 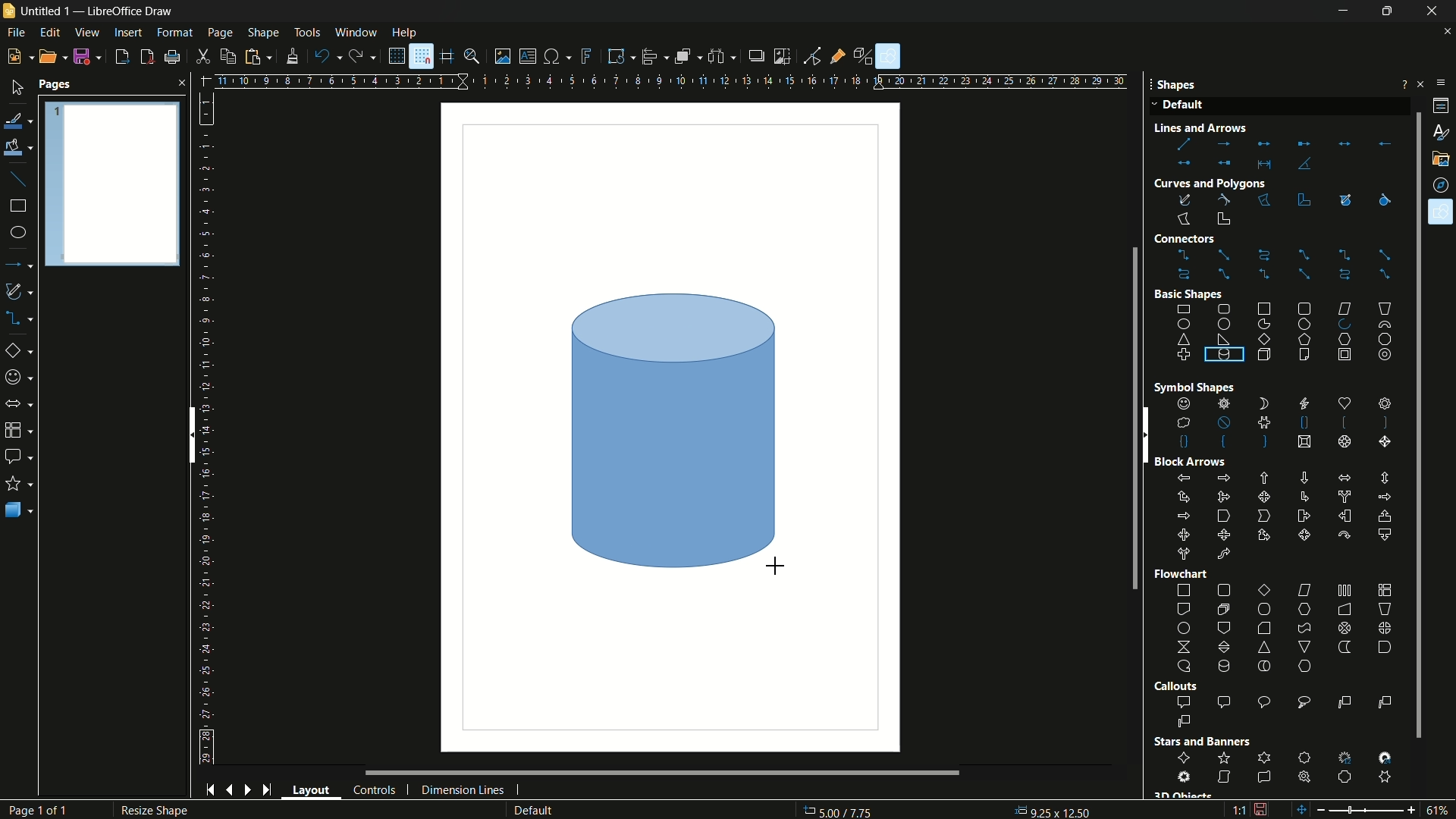 I want to click on layout, so click(x=312, y=789).